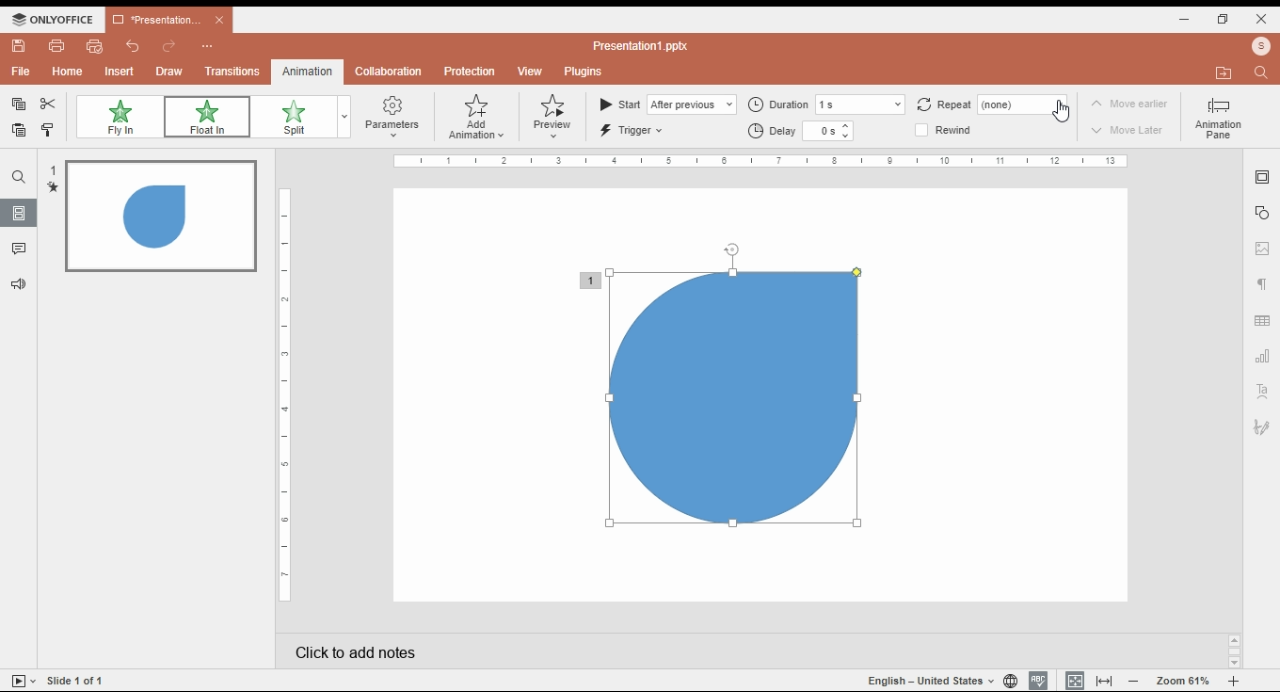 Image resolution: width=1280 pixels, height=692 pixels. I want to click on move later, so click(1130, 132).